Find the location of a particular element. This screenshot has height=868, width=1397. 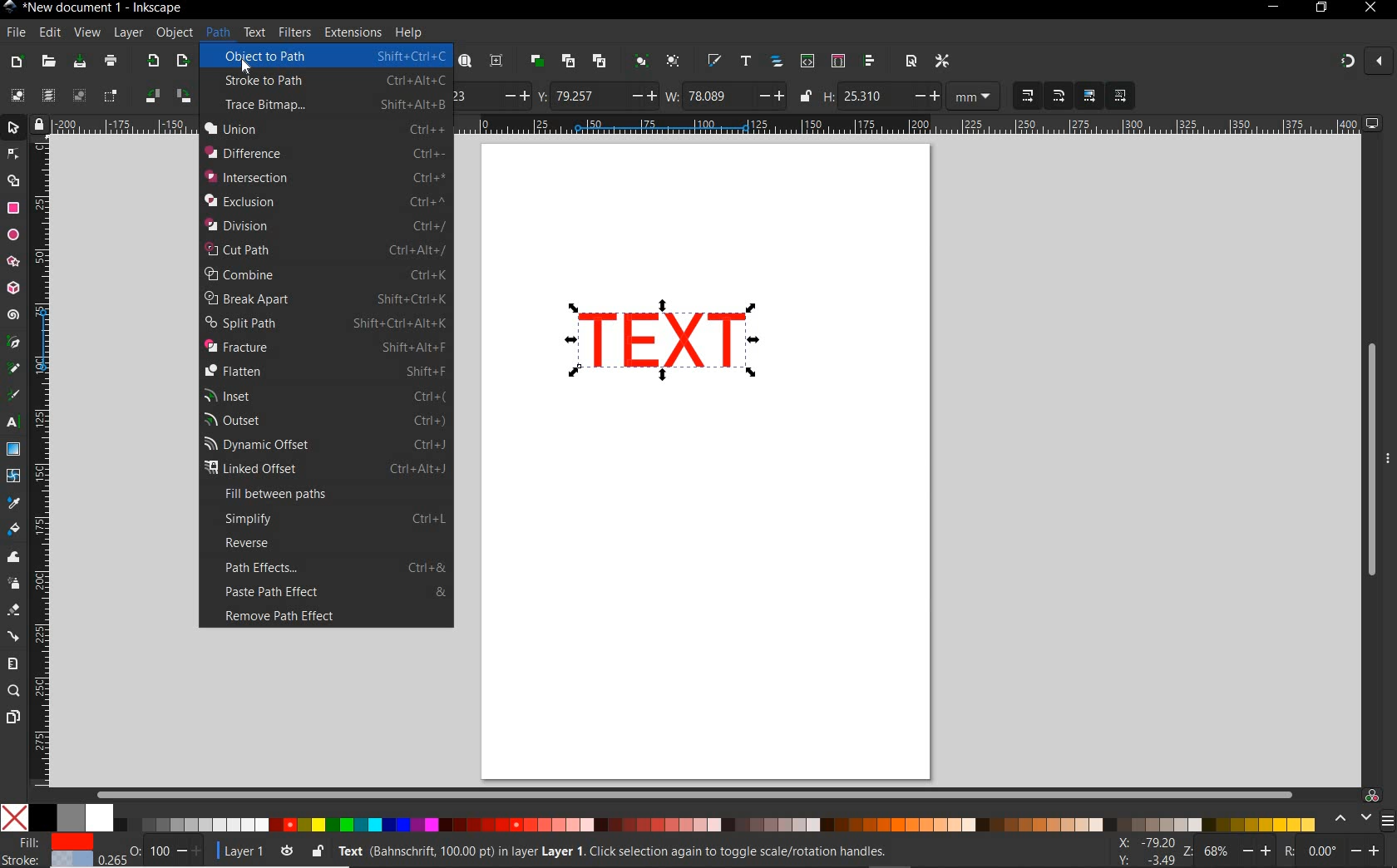

IMPORT is located at coordinates (151, 62).